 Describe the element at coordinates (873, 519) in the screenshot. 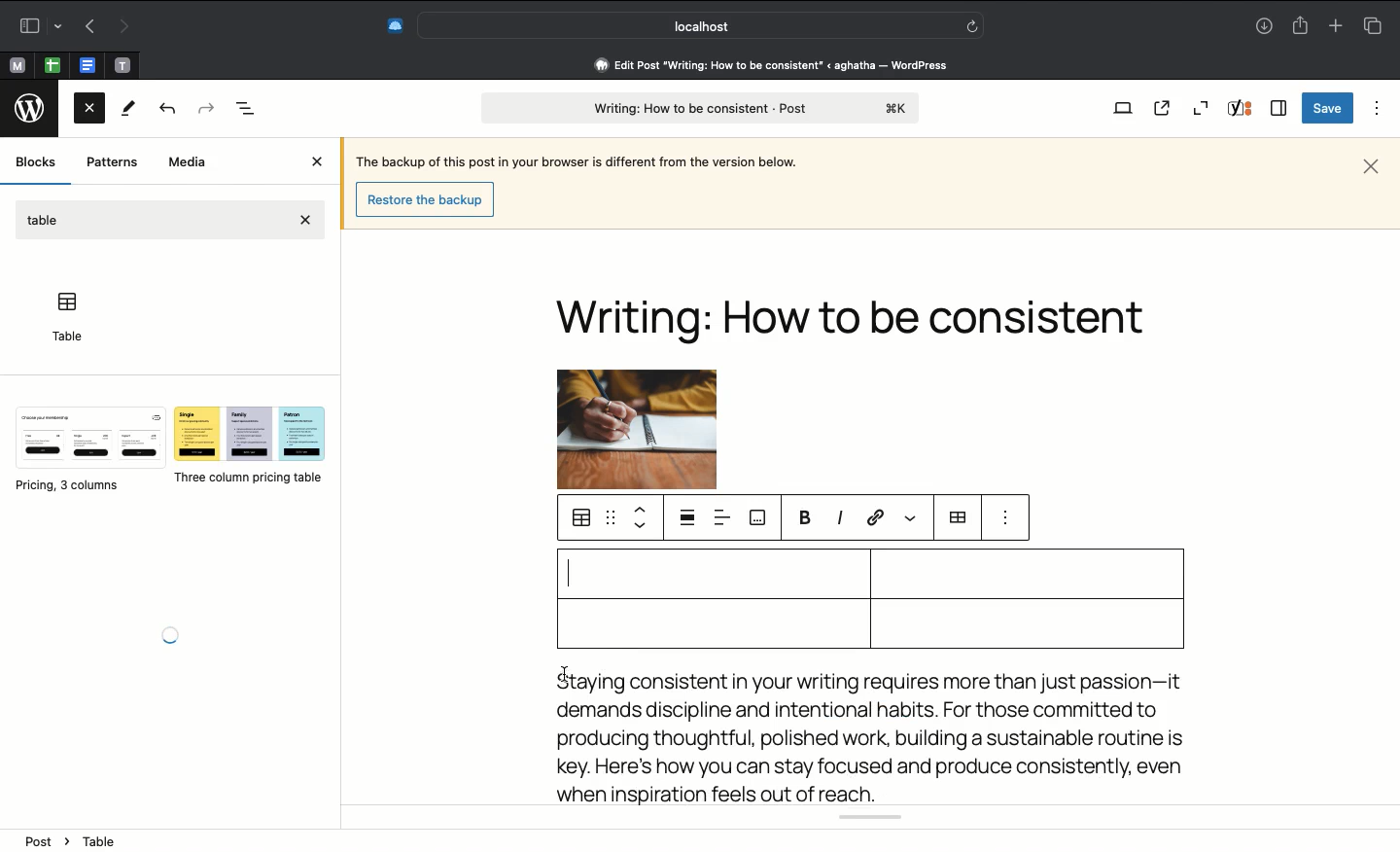

I see `URL` at that location.